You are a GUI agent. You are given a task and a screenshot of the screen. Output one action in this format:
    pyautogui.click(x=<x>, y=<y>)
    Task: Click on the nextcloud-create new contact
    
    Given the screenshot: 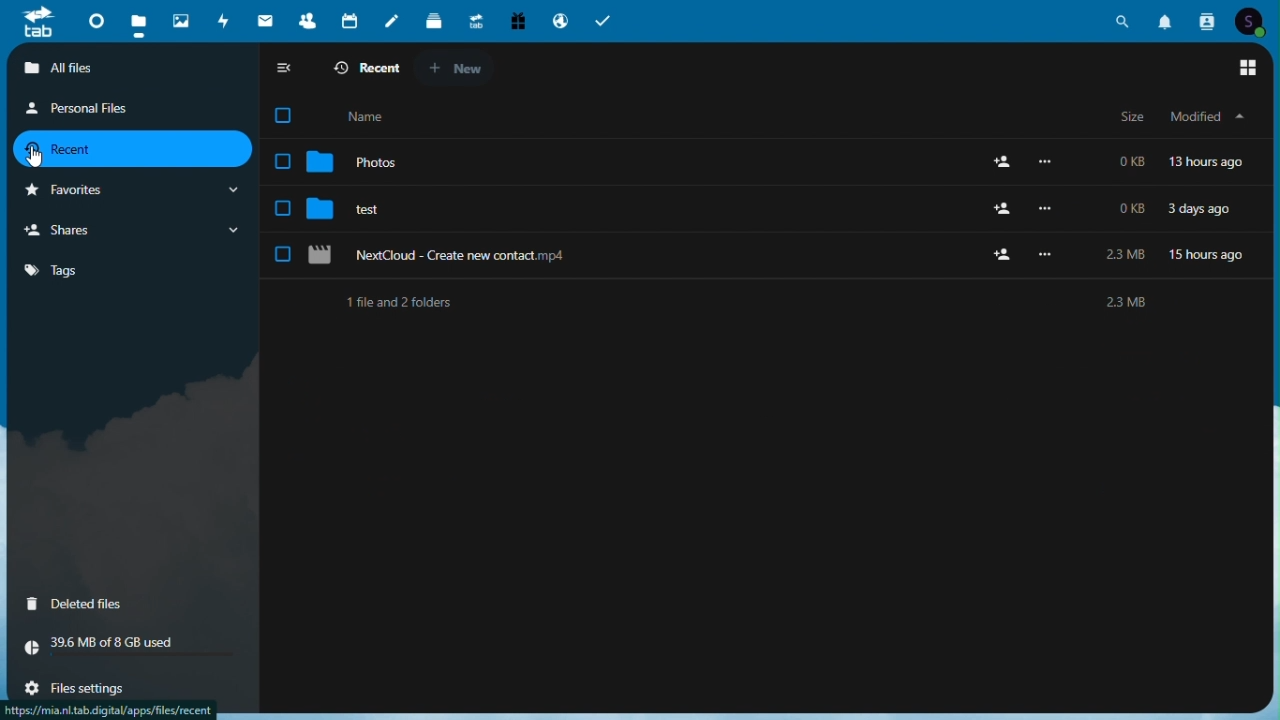 What is the action you would take?
    pyautogui.click(x=436, y=256)
    